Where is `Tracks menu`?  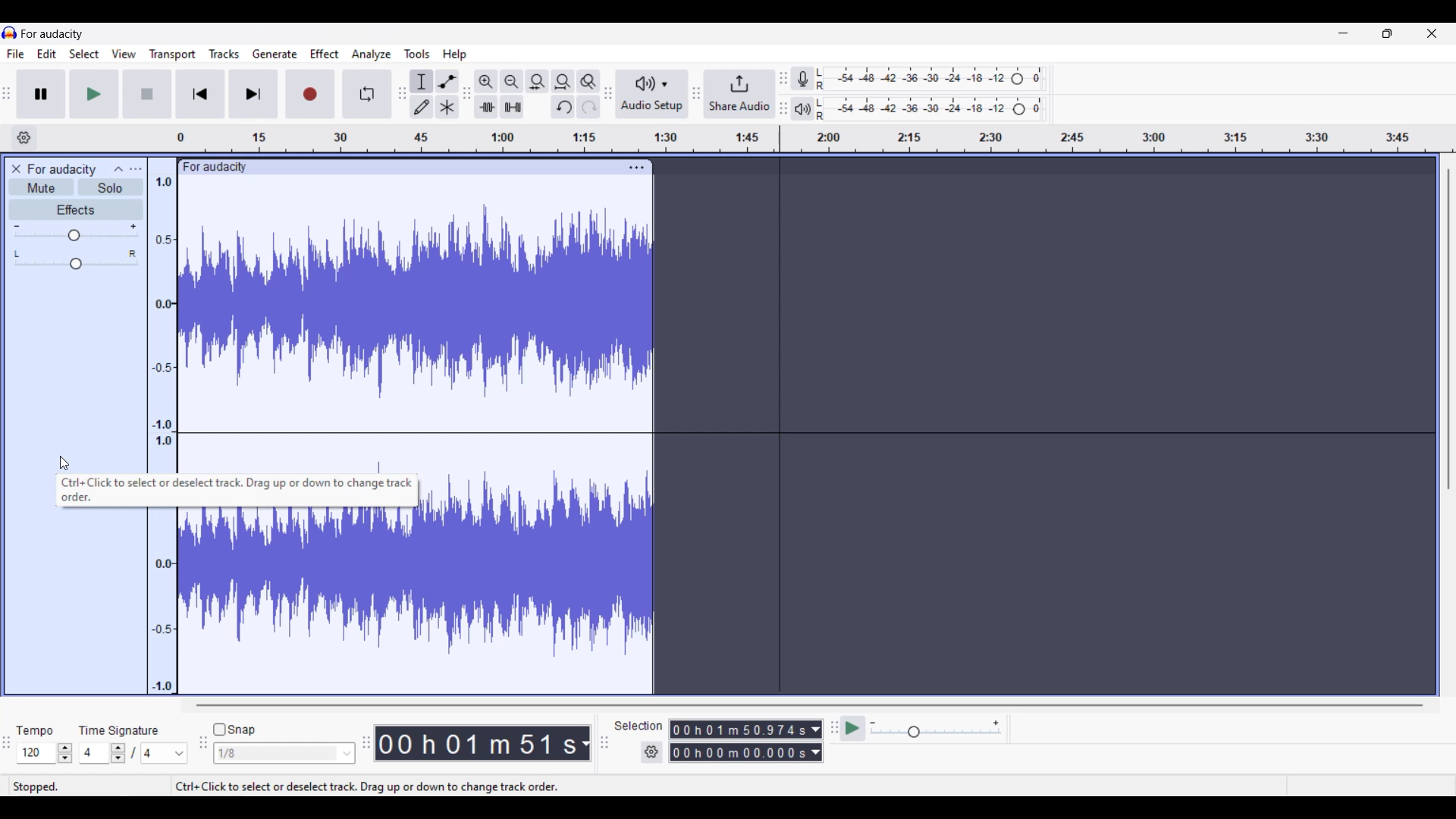 Tracks menu is located at coordinates (224, 53).